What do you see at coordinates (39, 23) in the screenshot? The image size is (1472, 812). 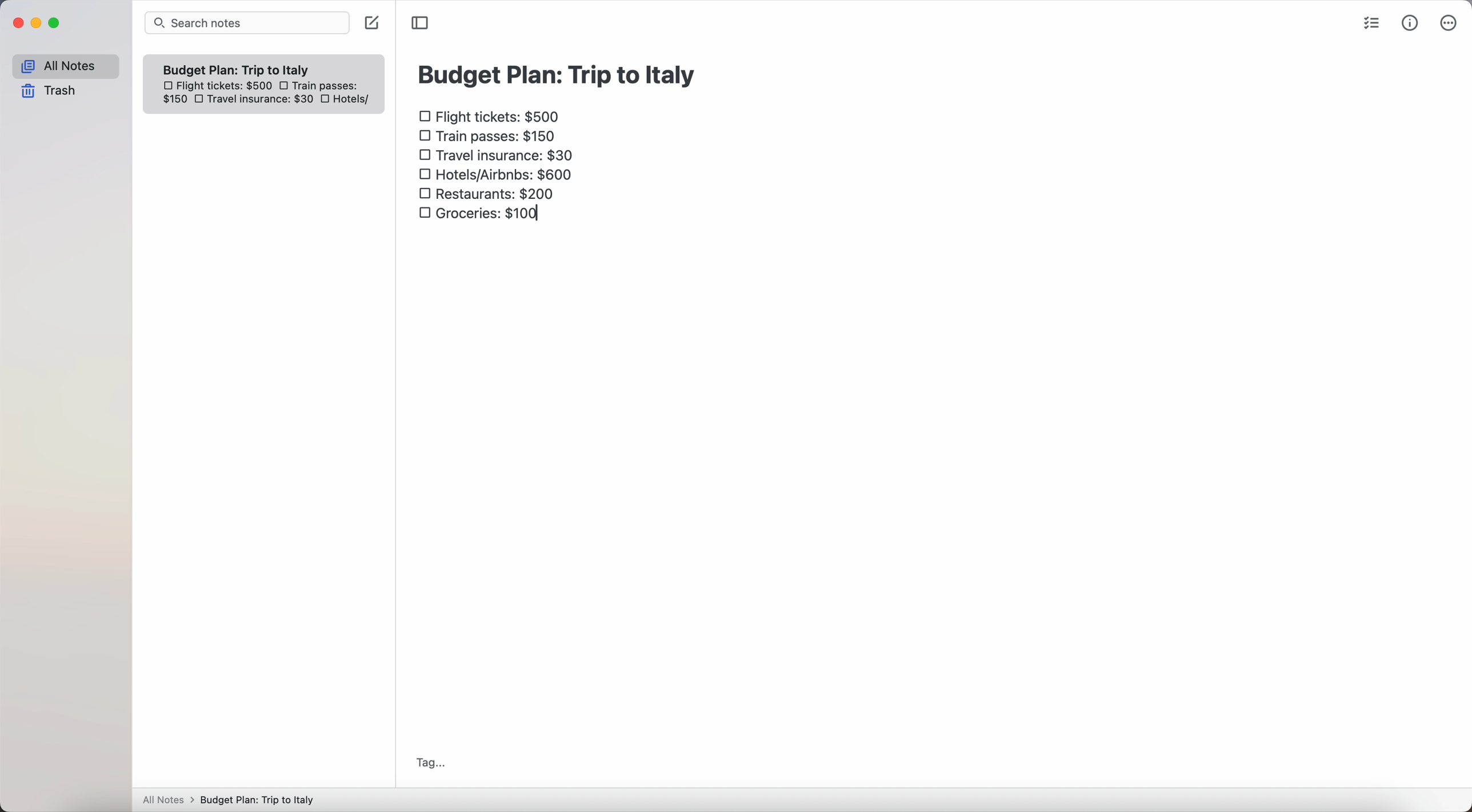 I see `minimize` at bounding box center [39, 23].